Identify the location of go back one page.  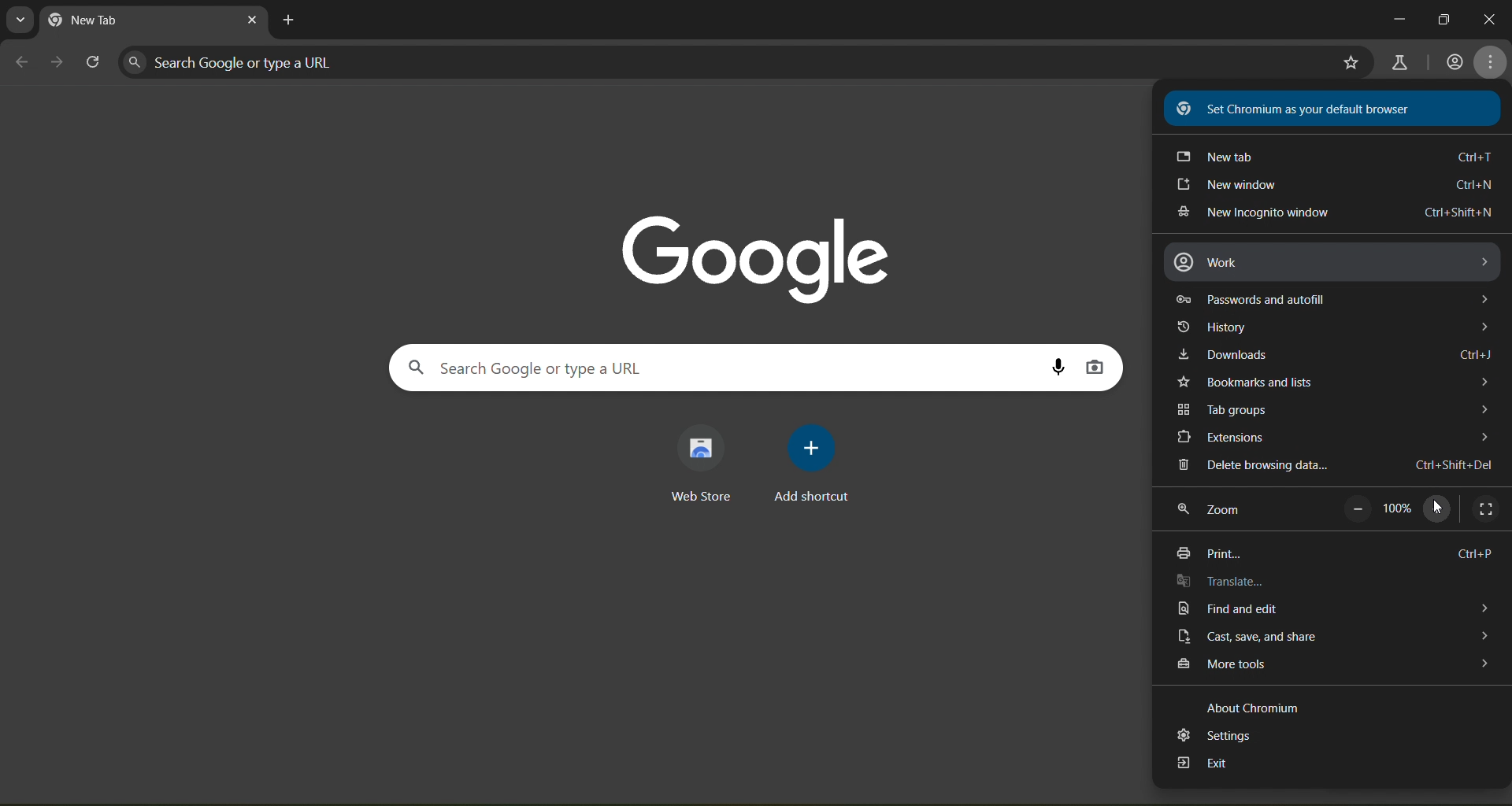
(22, 61).